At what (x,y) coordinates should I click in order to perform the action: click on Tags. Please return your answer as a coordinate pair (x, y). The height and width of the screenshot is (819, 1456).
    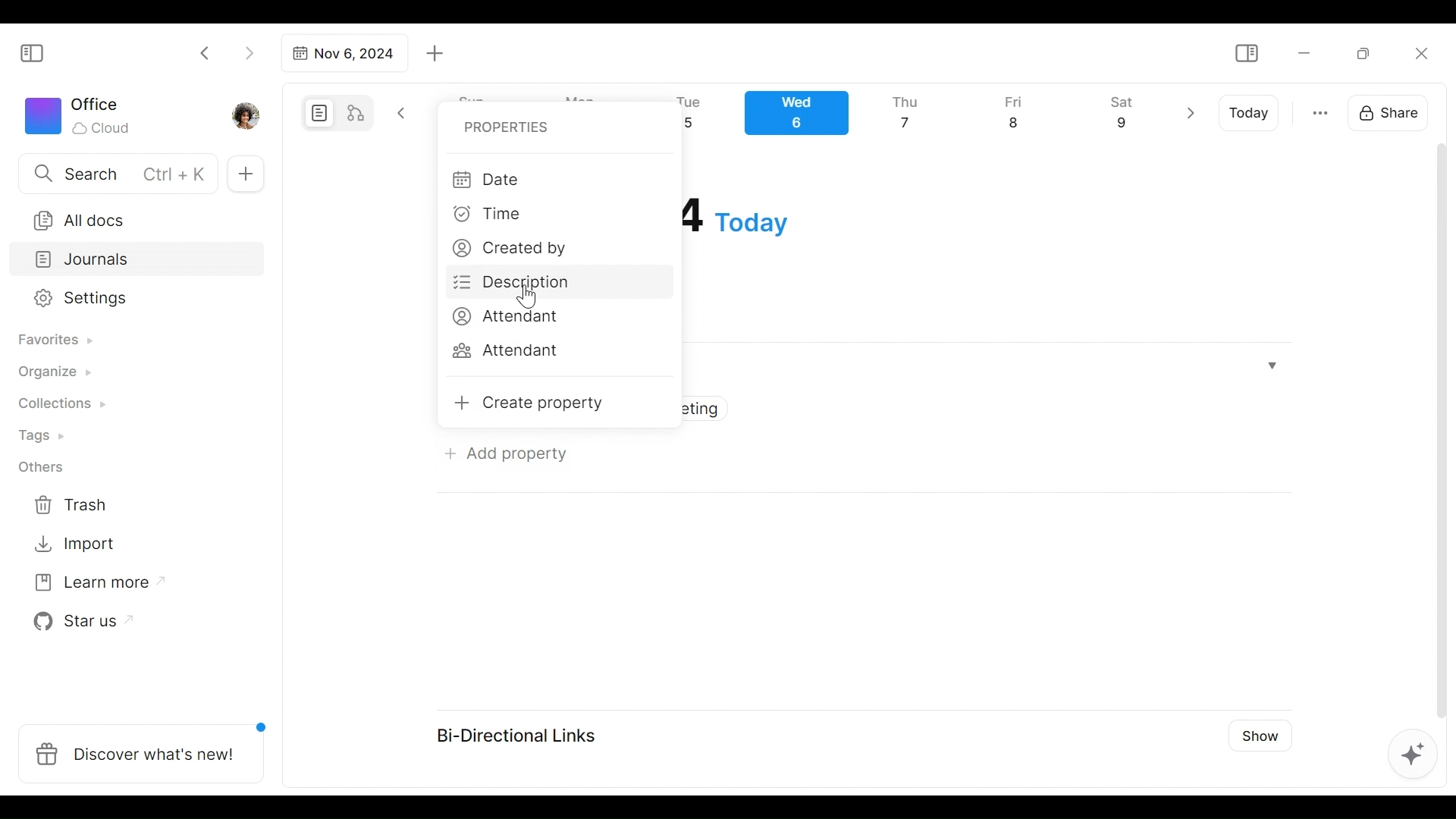
    Looking at the image, I should click on (43, 438).